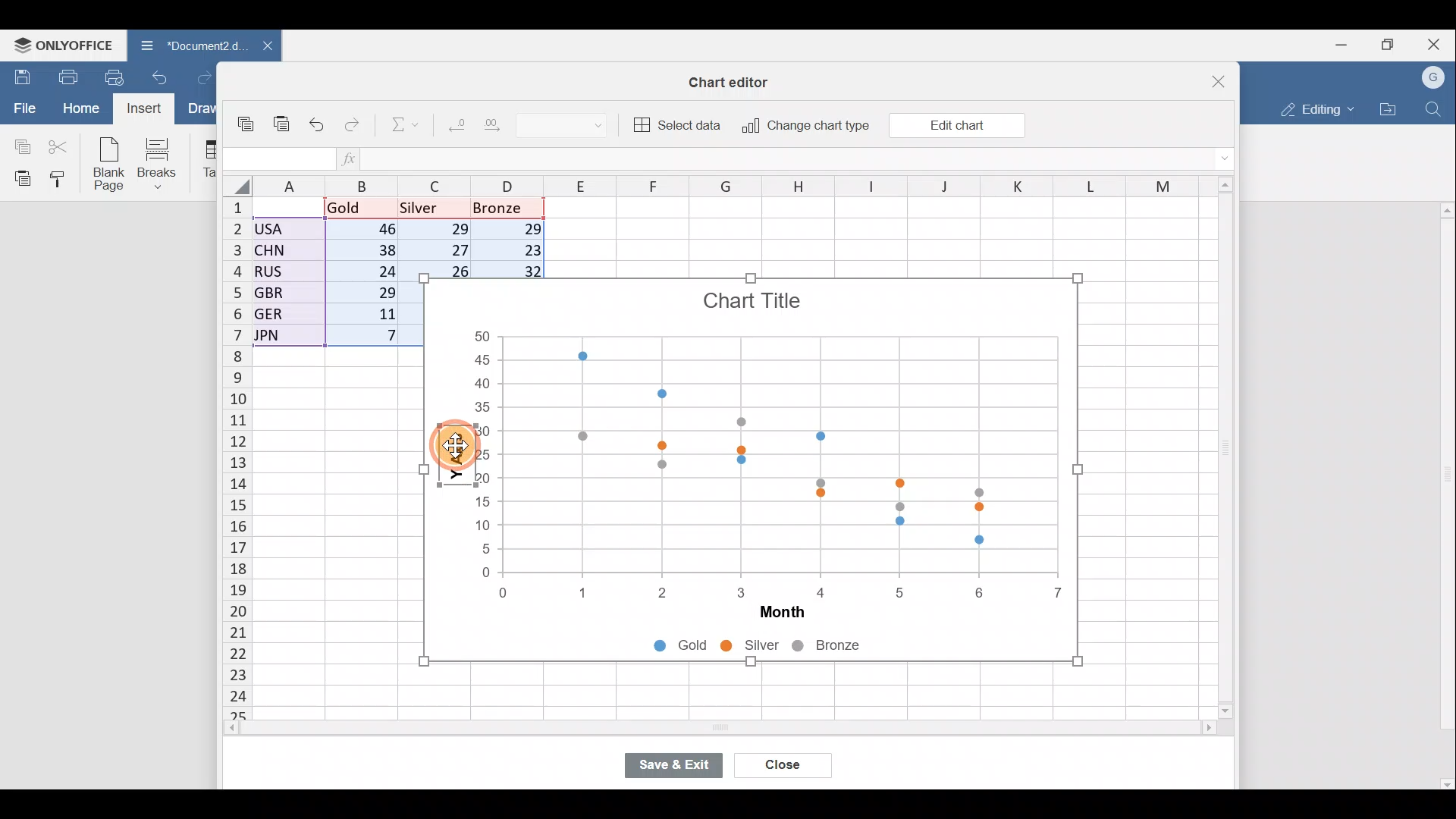 The height and width of the screenshot is (819, 1456). Describe the element at coordinates (209, 160) in the screenshot. I see `Table` at that location.